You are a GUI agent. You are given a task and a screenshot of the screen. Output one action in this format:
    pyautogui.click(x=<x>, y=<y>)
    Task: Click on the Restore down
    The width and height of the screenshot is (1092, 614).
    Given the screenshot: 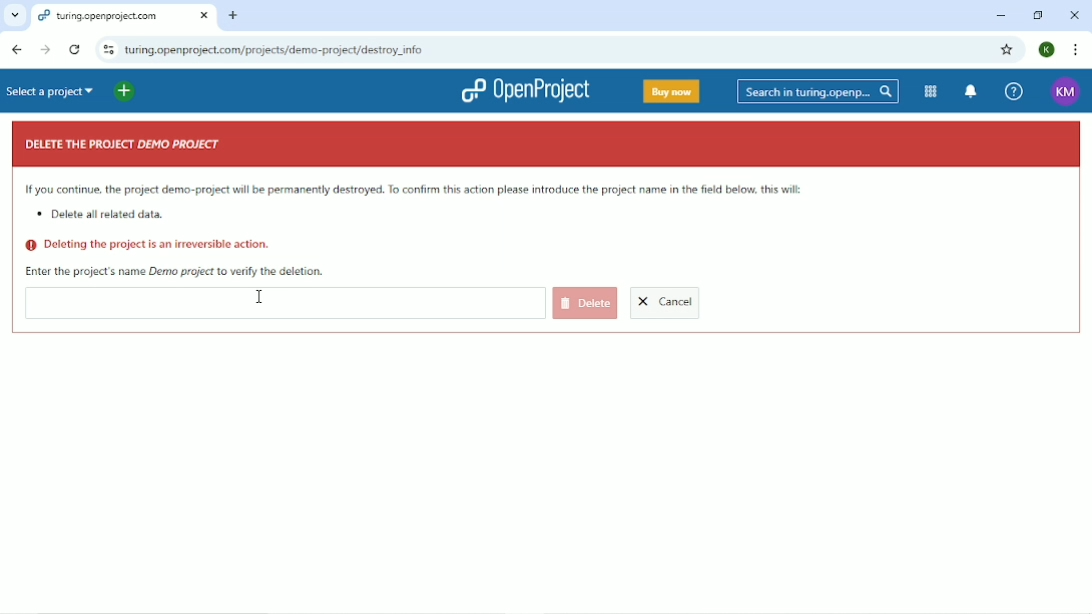 What is the action you would take?
    pyautogui.click(x=1037, y=16)
    